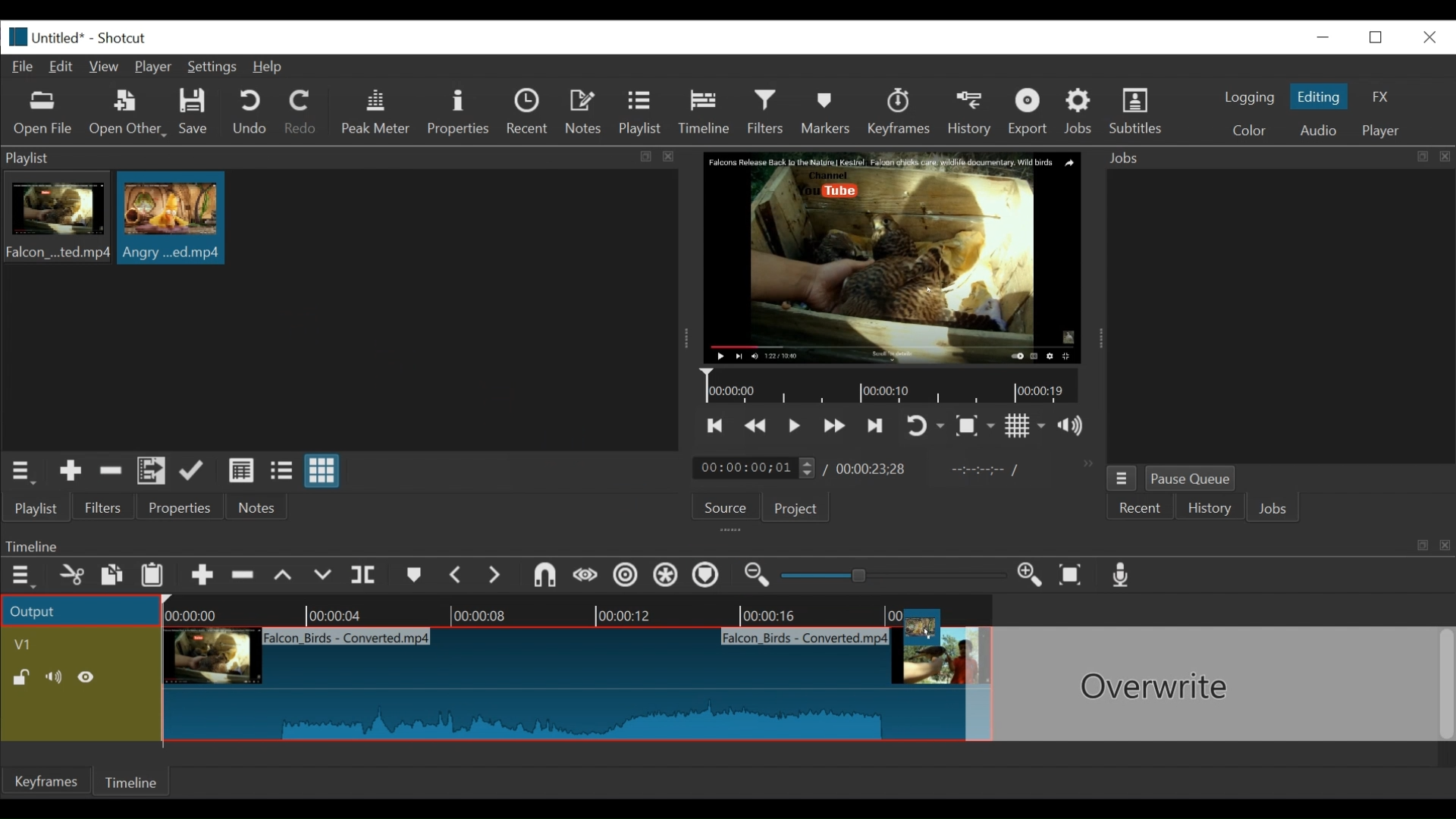 The width and height of the screenshot is (1456, 819). Describe the element at coordinates (129, 114) in the screenshot. I see `Open Other` at that location.